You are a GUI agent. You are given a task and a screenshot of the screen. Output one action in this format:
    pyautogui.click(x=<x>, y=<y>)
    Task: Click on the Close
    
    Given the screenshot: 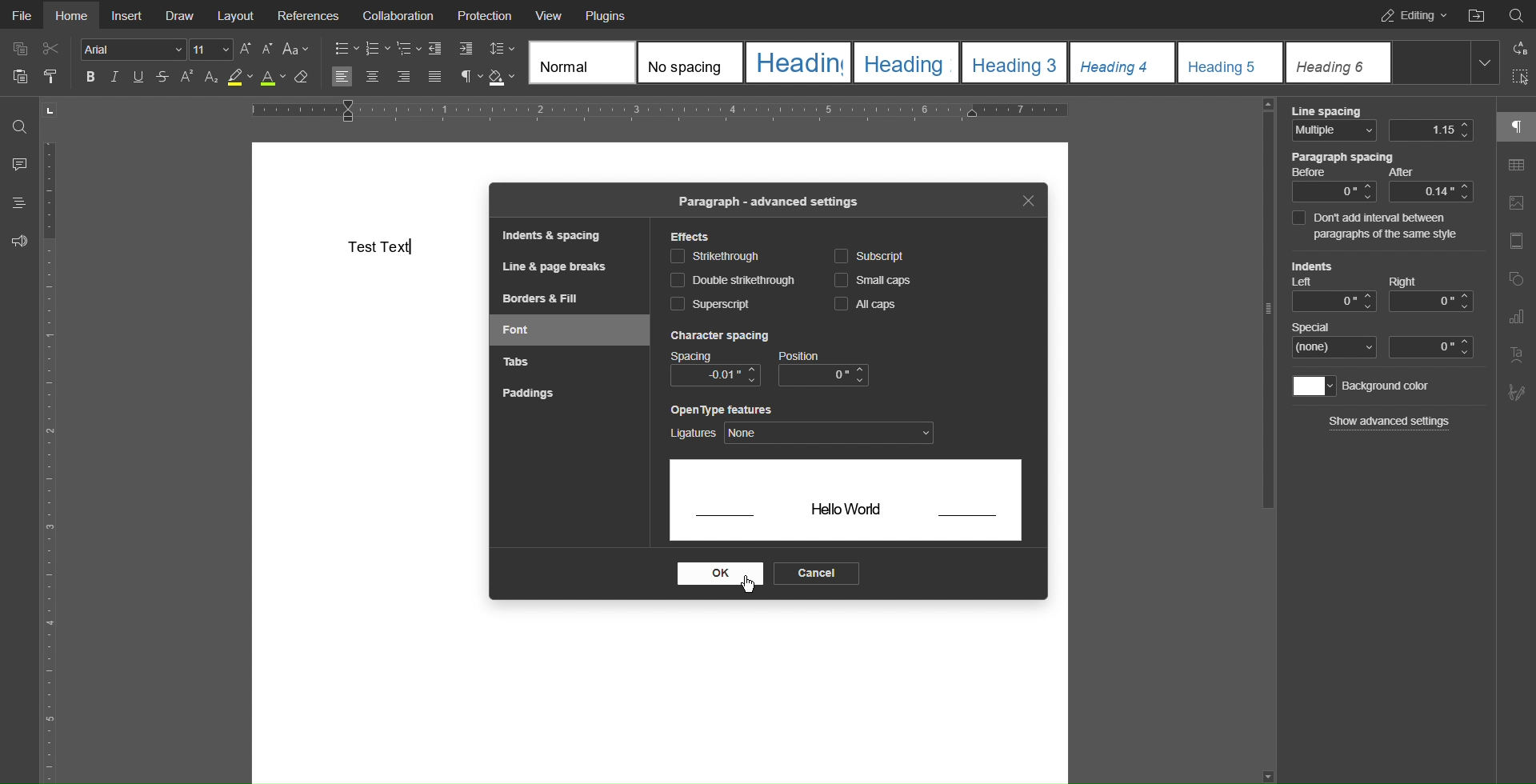 What is the action you would take?
    pyautogui.click(x=1027, y=200)
    